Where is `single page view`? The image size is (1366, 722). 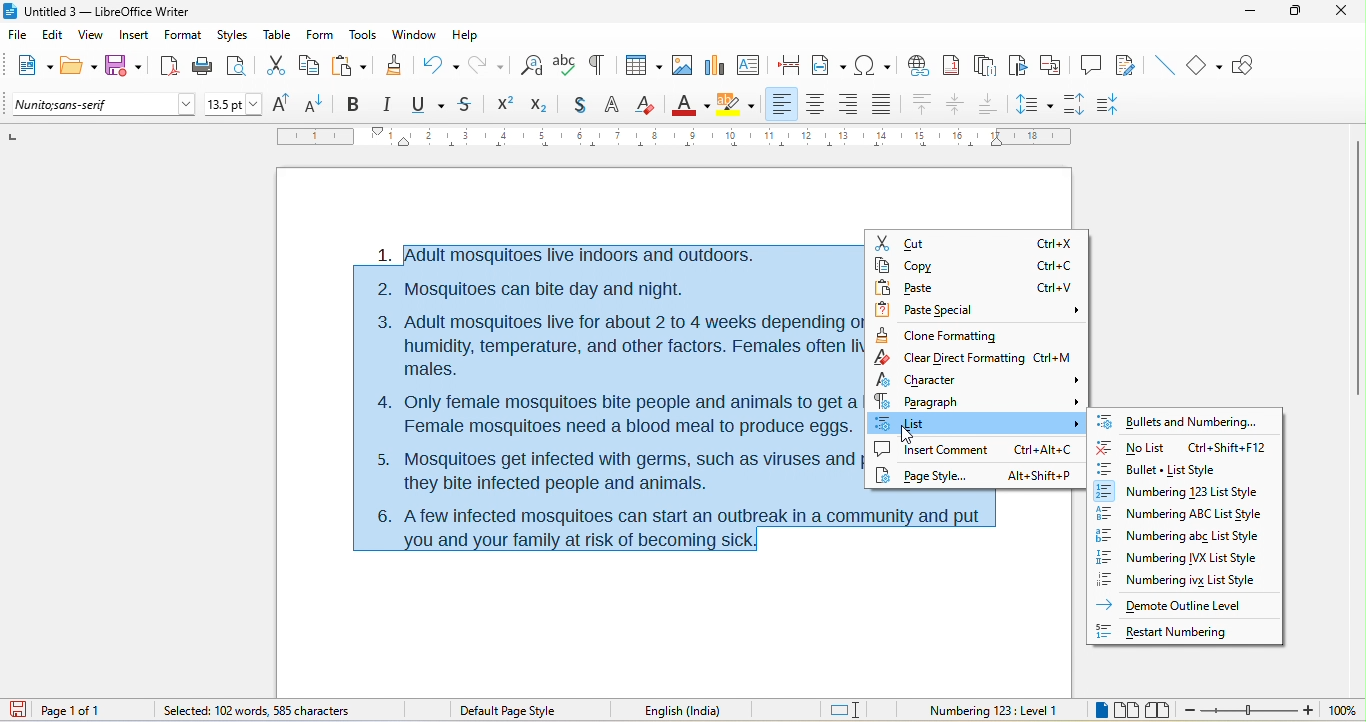
single page view is located at coordinates (1095, 711).